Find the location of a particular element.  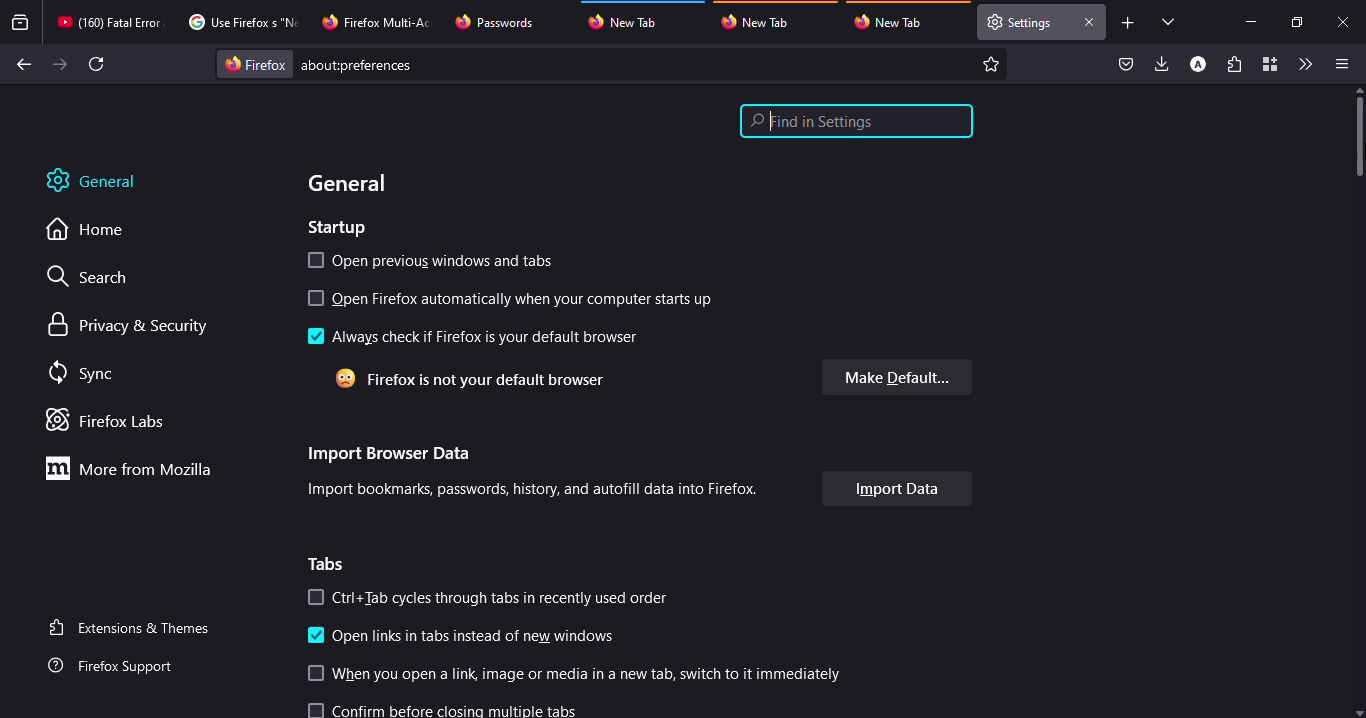

scroll bar - mouse down is located at coordinates (1361, 130).